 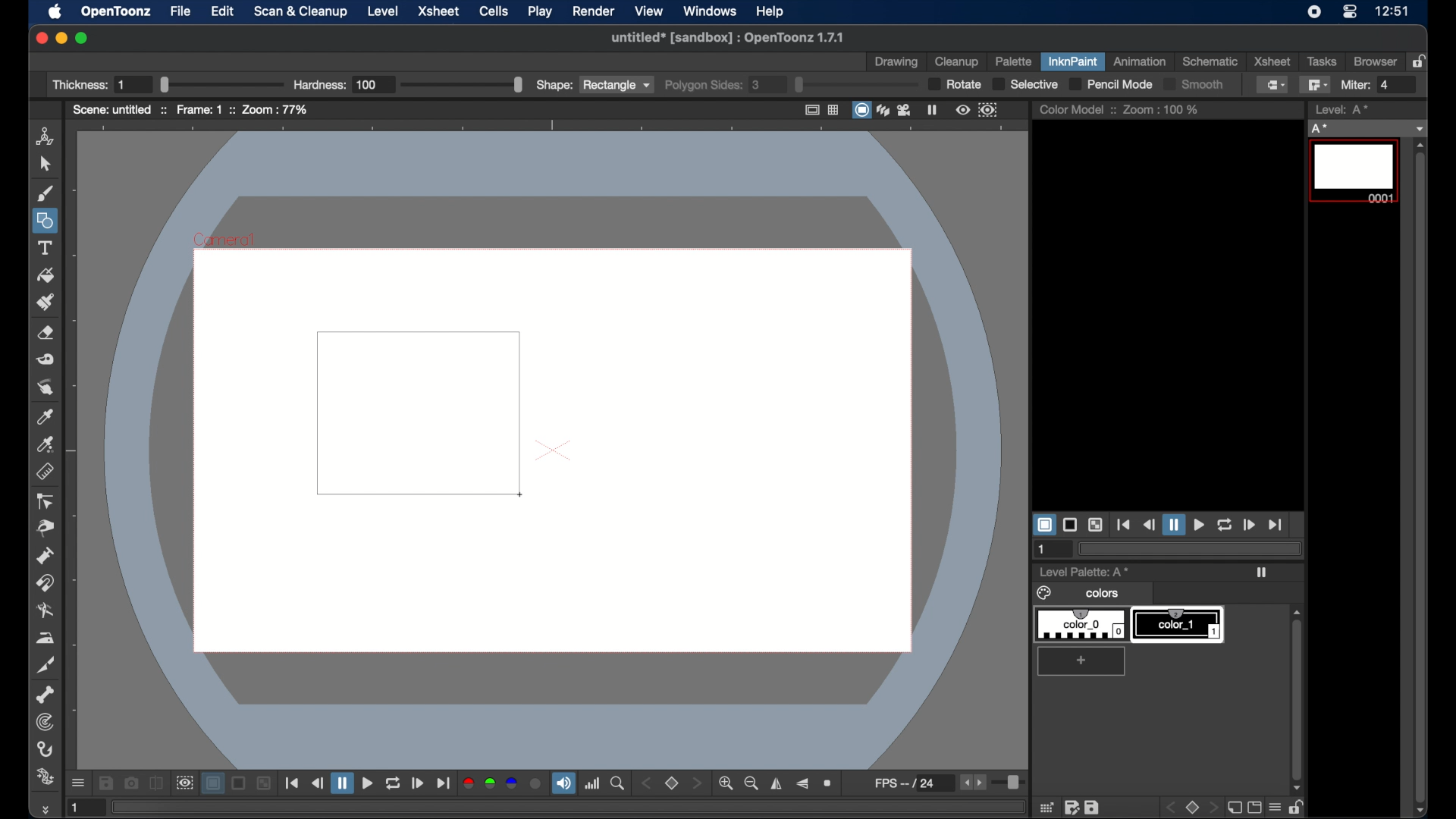 I want to click on compare to snapshot, so click(x=156, y=783).